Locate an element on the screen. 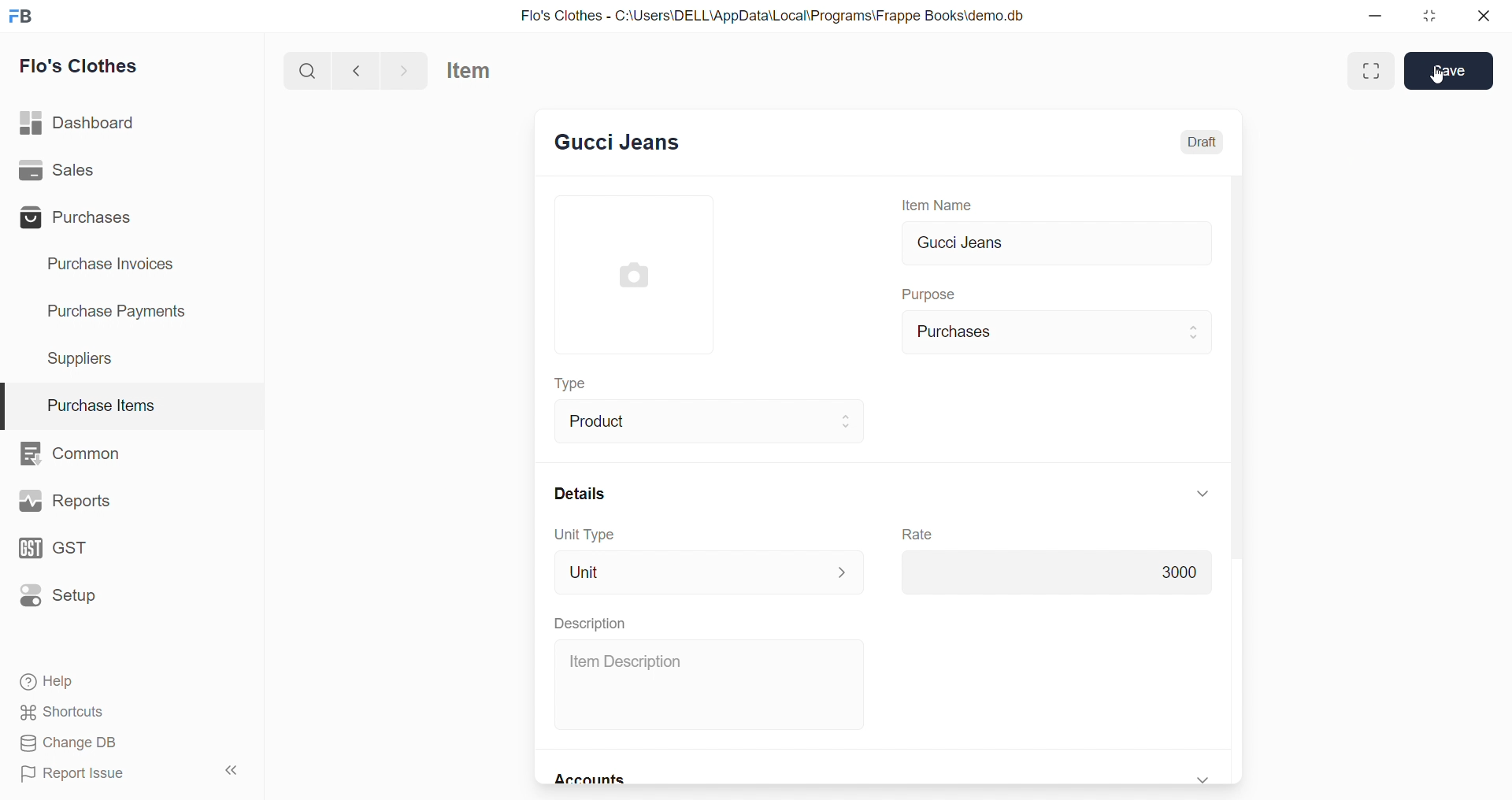 The width and height of the screenshot is (1512, 800). Purpose is located at coordinates (932, 292).